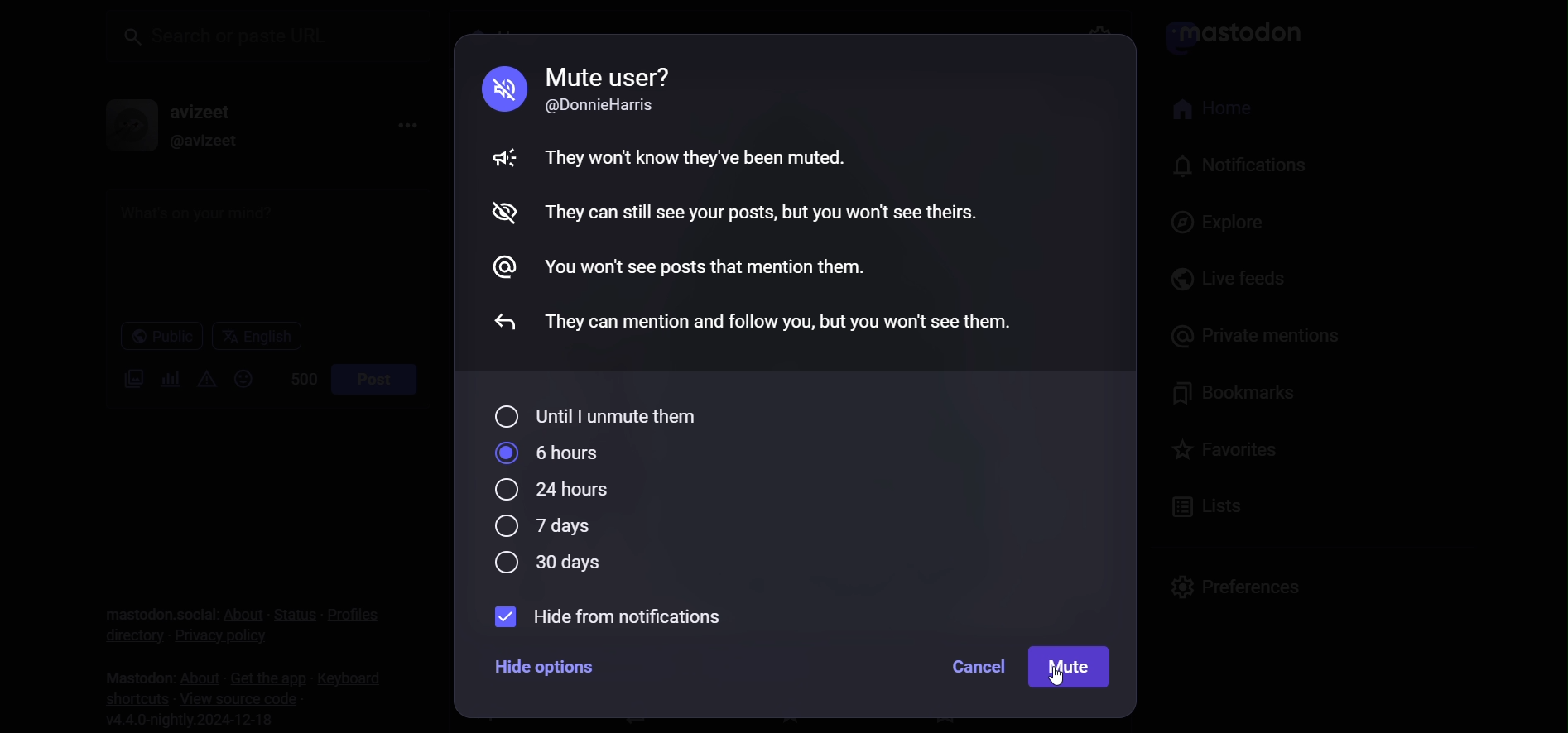 The height and width of the screenshot is (733, 1568). What do you see at coordinates (977, 667) in the screenshot?
I see `cancel` at bounding box center [977, 667].